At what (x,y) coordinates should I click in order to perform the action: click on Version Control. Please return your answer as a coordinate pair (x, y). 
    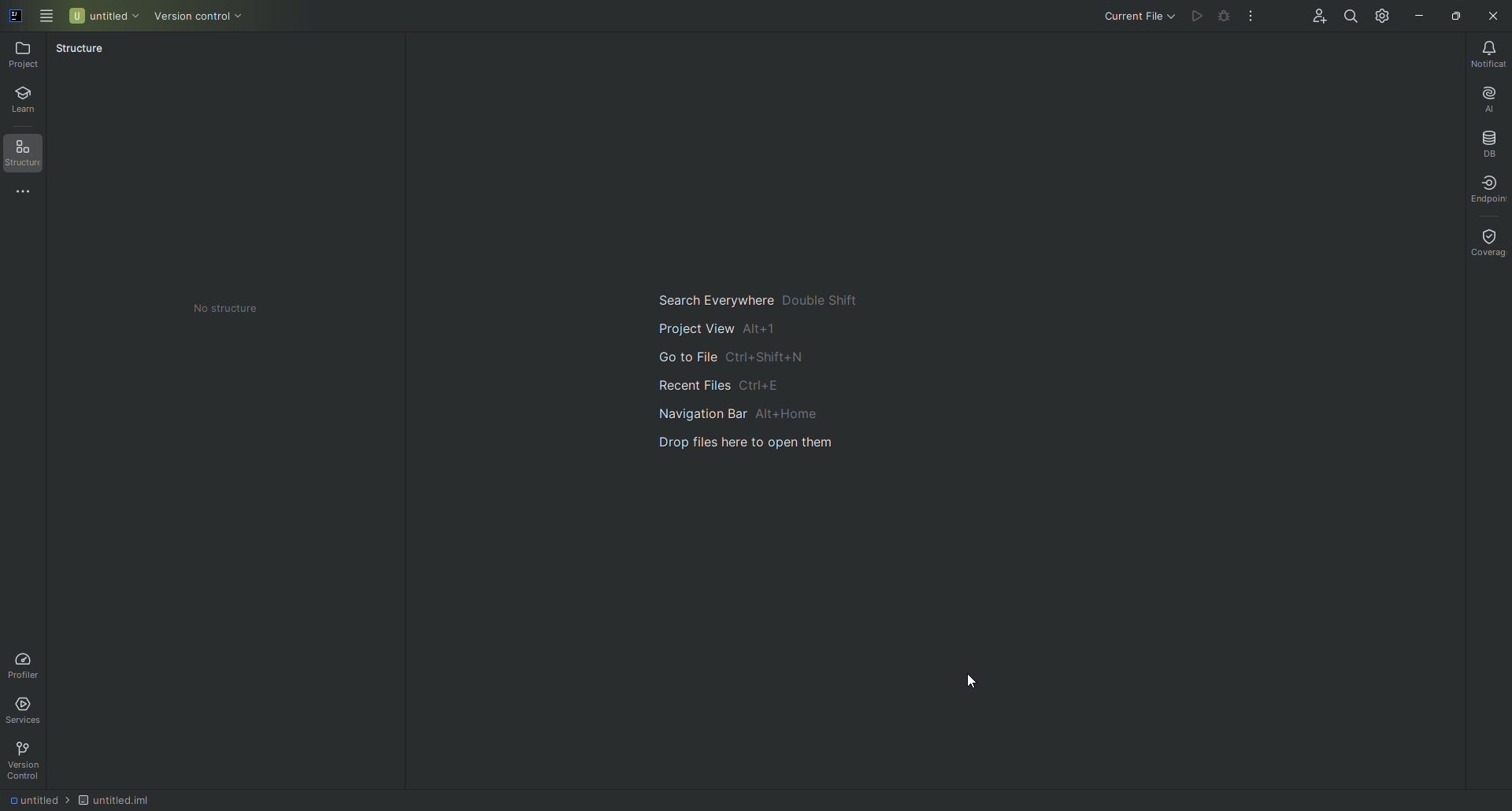
    Looking at the image, I should click on (24, 763).